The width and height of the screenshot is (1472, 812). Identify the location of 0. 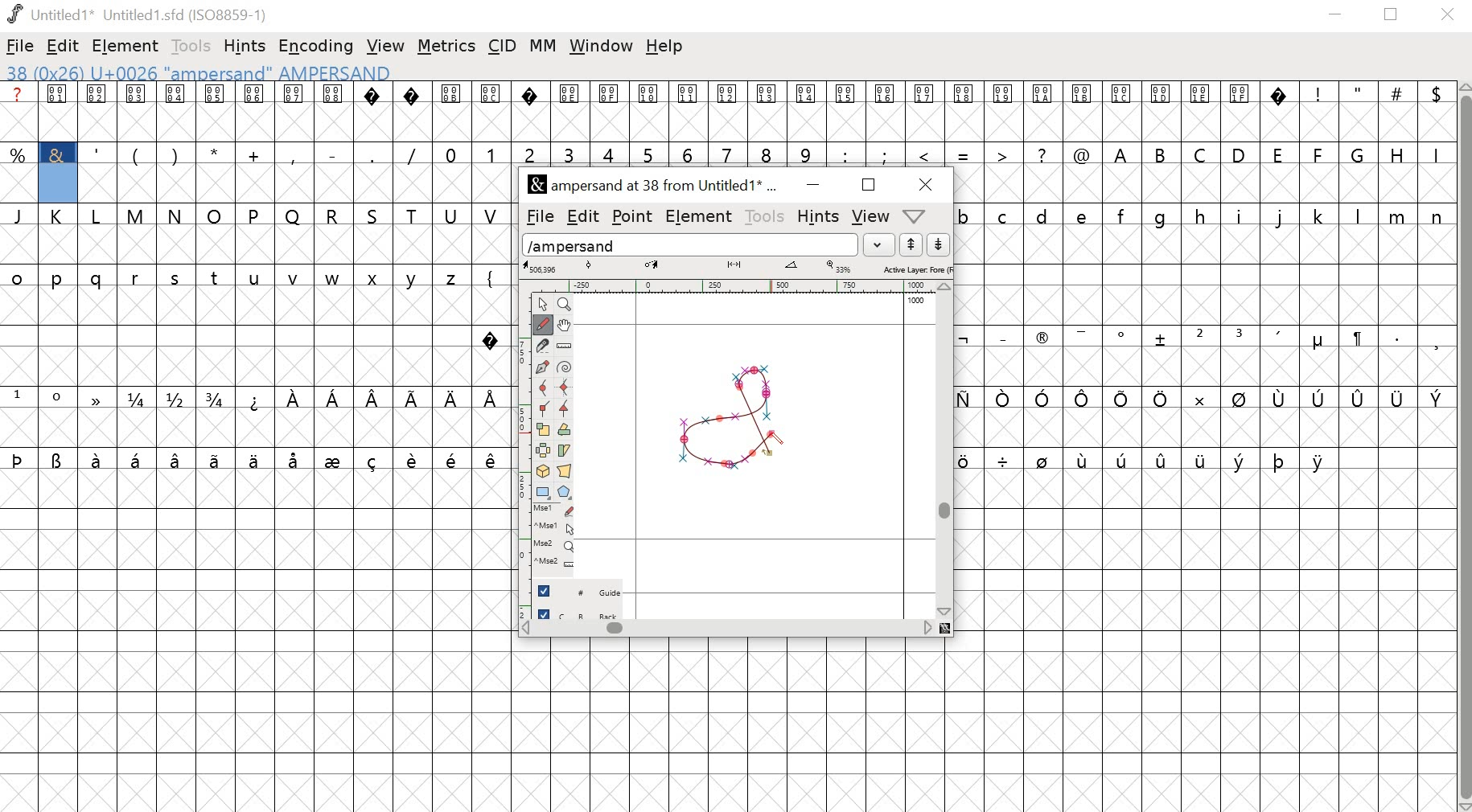
(60, 399).